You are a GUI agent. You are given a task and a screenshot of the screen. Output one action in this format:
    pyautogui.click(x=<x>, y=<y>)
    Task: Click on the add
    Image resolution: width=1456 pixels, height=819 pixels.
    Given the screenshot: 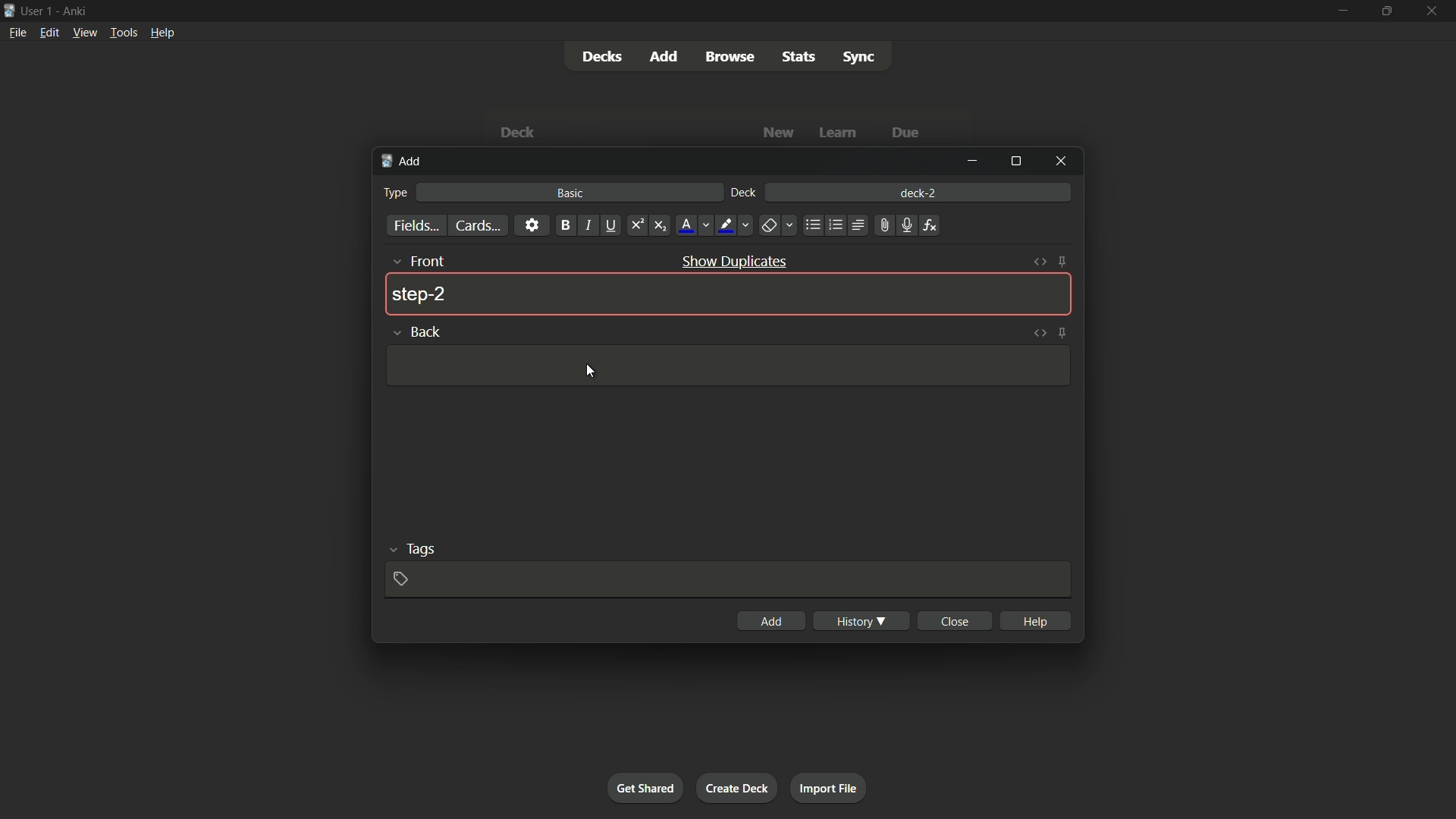 What is the action you would take?
    pyautogui.click(x=403, y=163)
    